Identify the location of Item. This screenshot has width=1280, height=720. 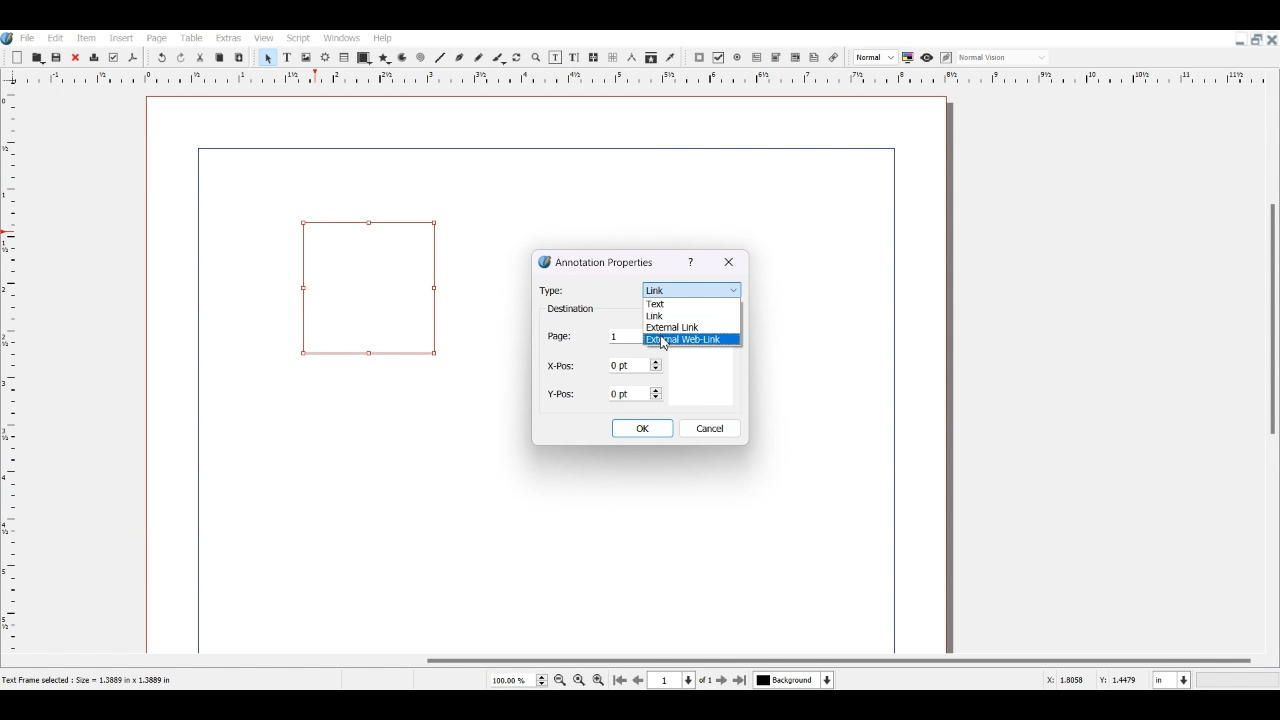
(84, 38).